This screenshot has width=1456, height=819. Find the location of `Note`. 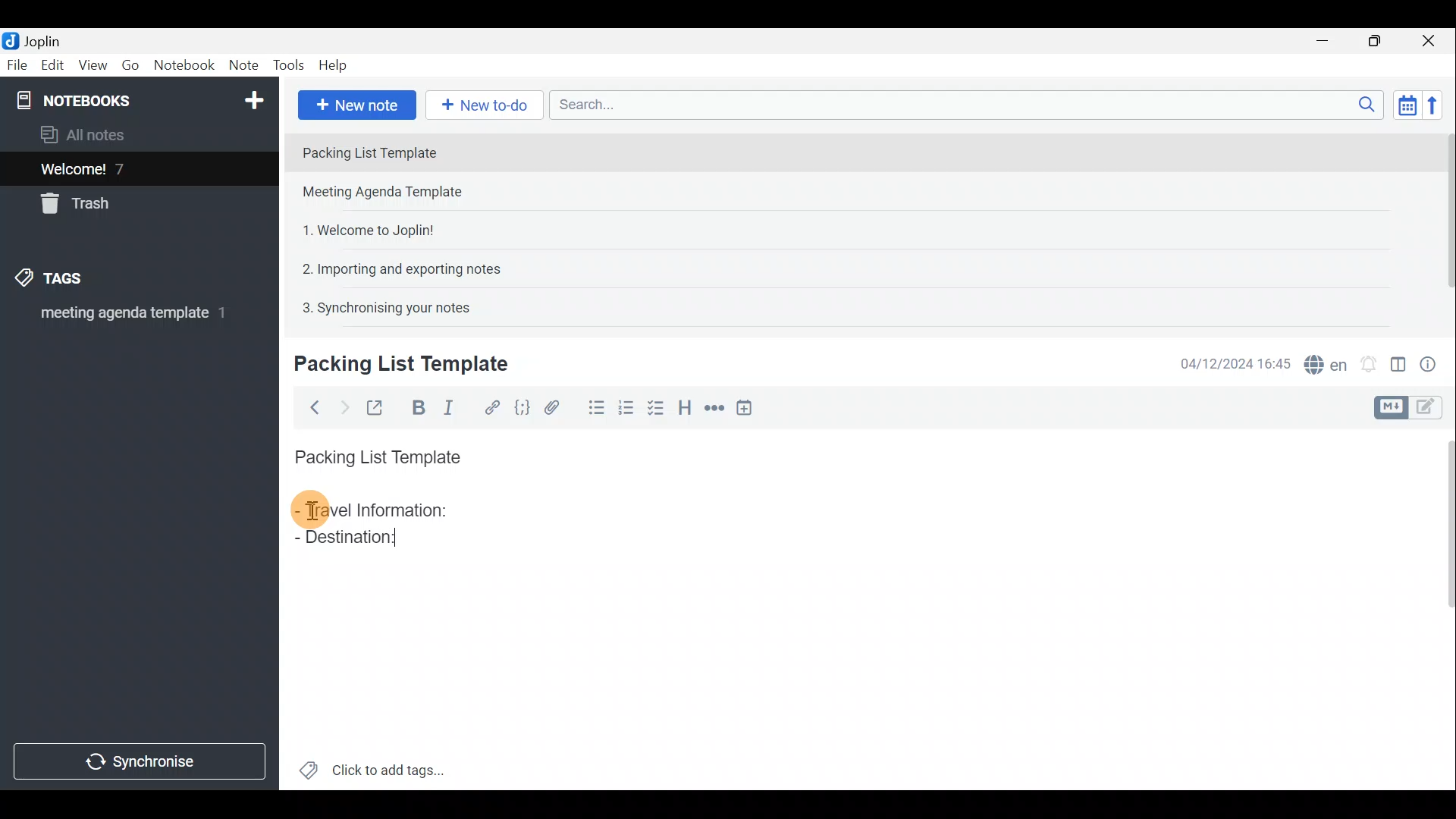

Note is located at coordinates (243, 66).